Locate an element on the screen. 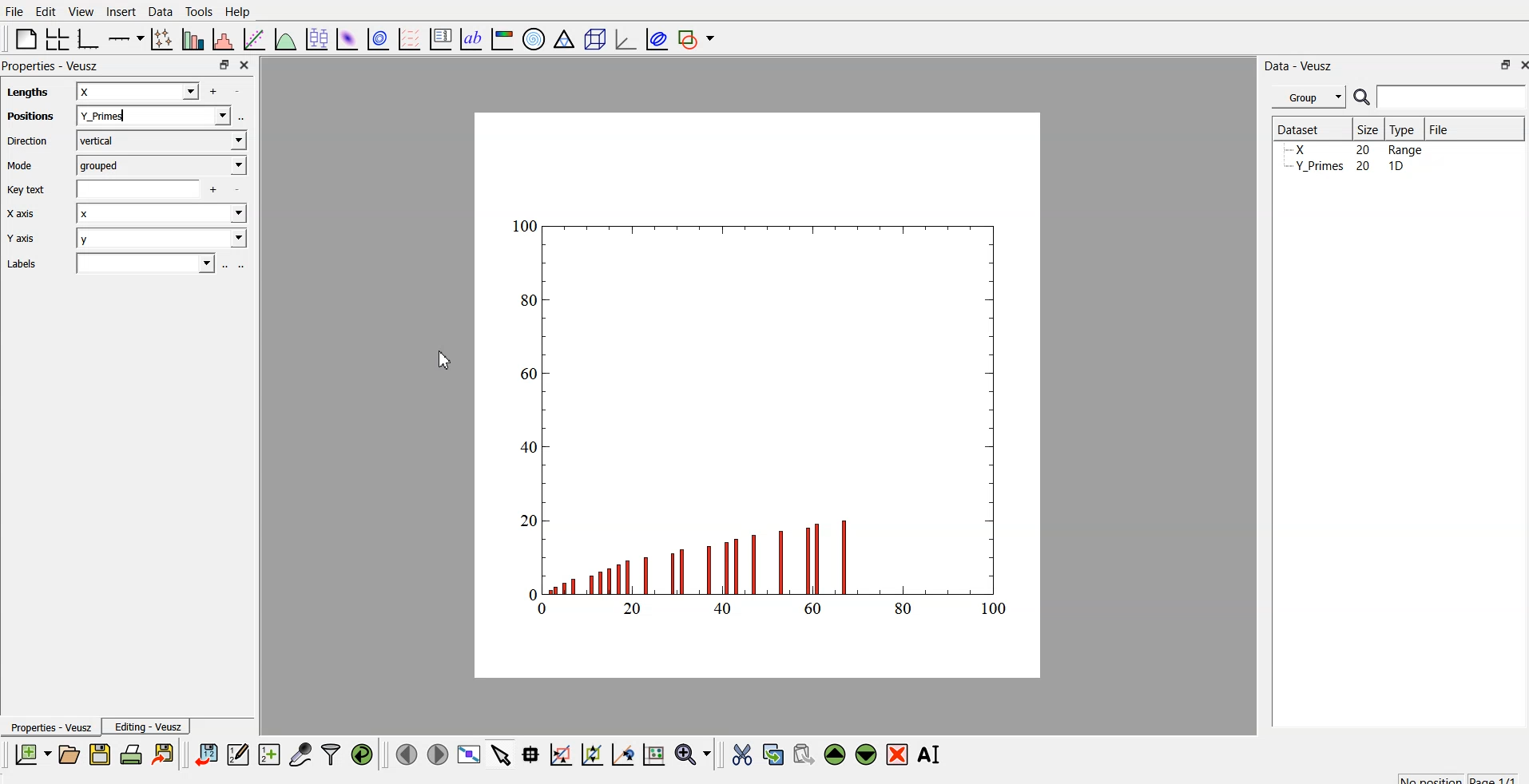  Tools is located at coordinates (198, 10).